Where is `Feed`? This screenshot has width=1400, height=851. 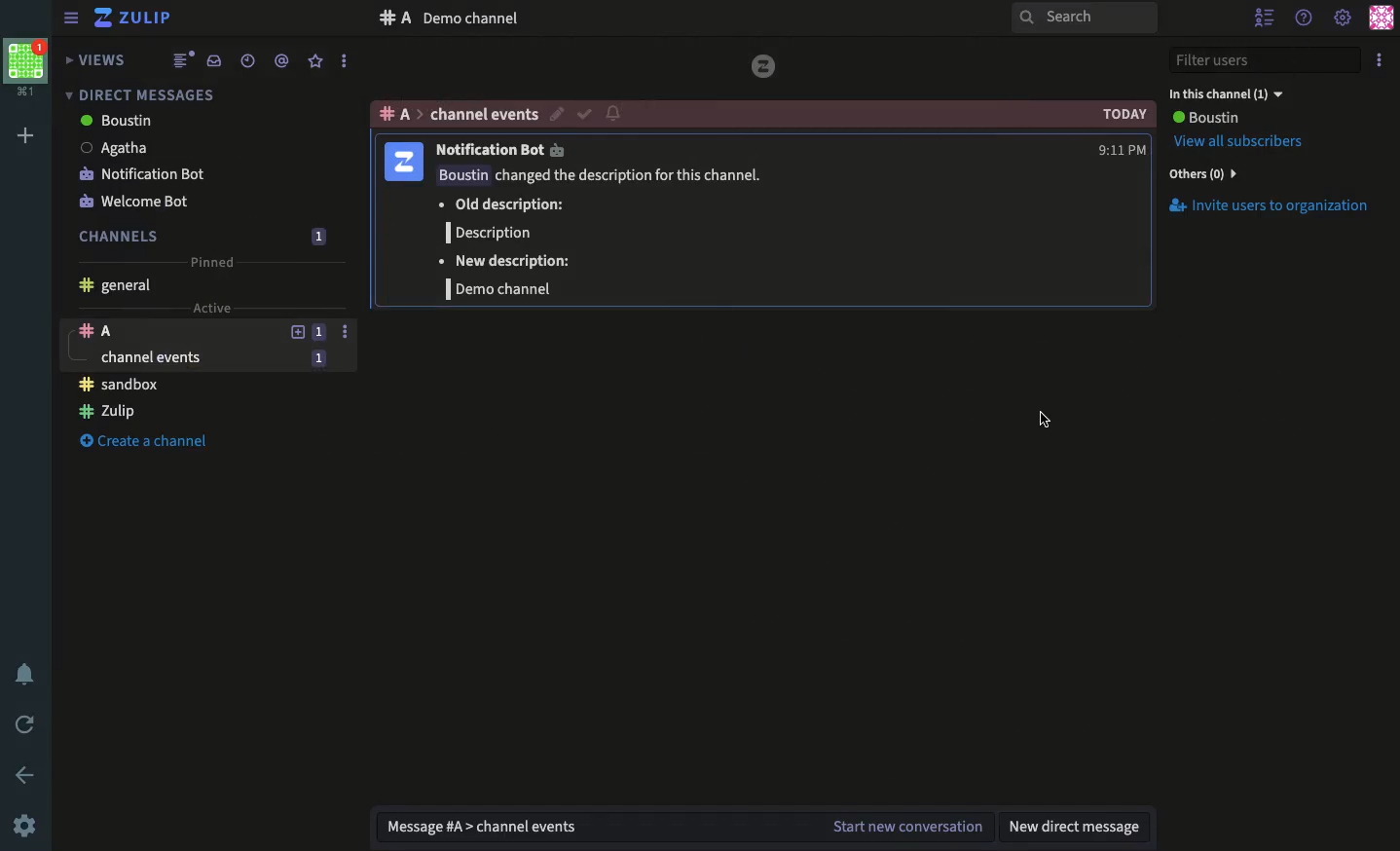 Feed is located at coordinates (176, 61).